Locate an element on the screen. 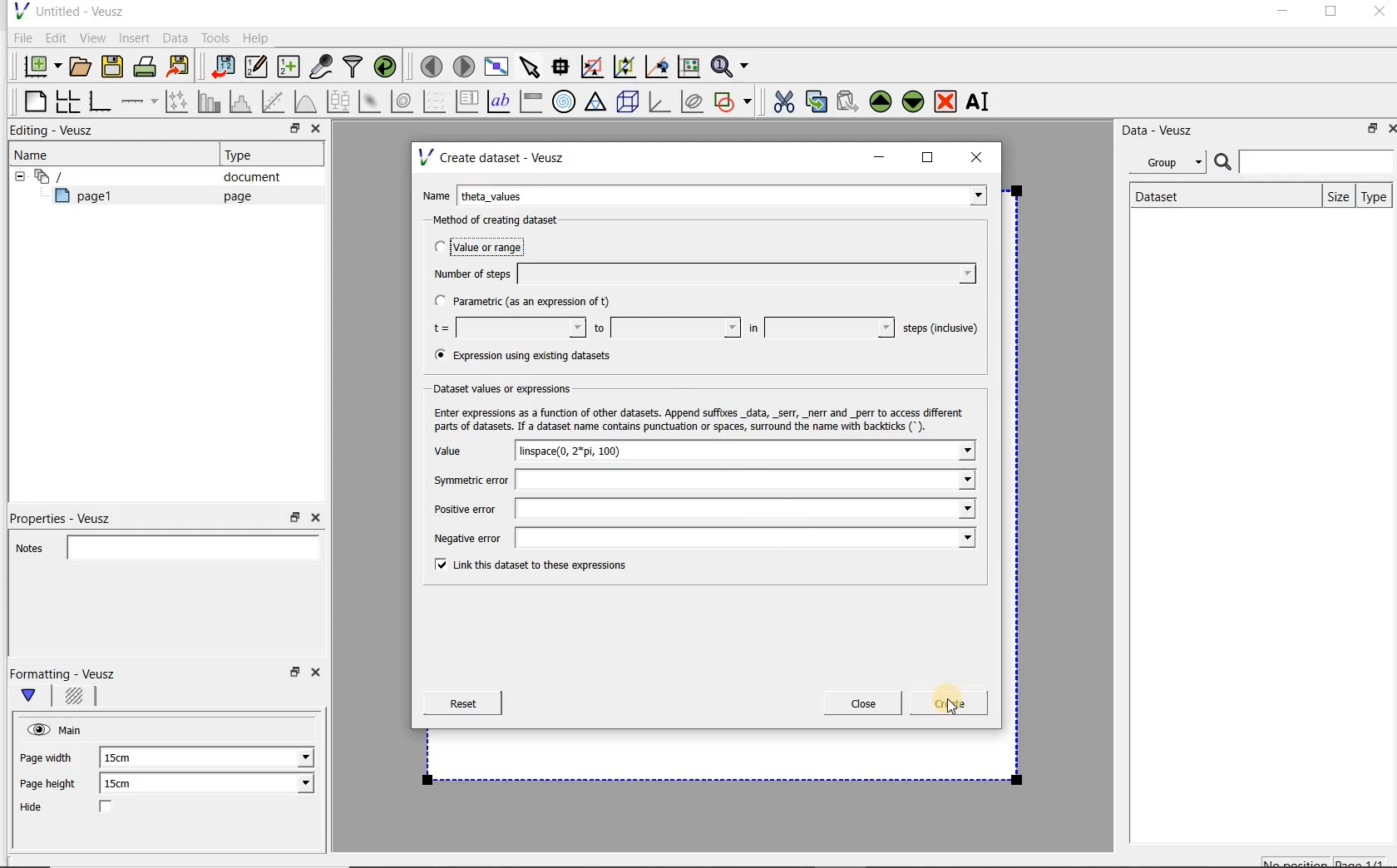  Untitled - Veusz is located at coordinates (67, 10).